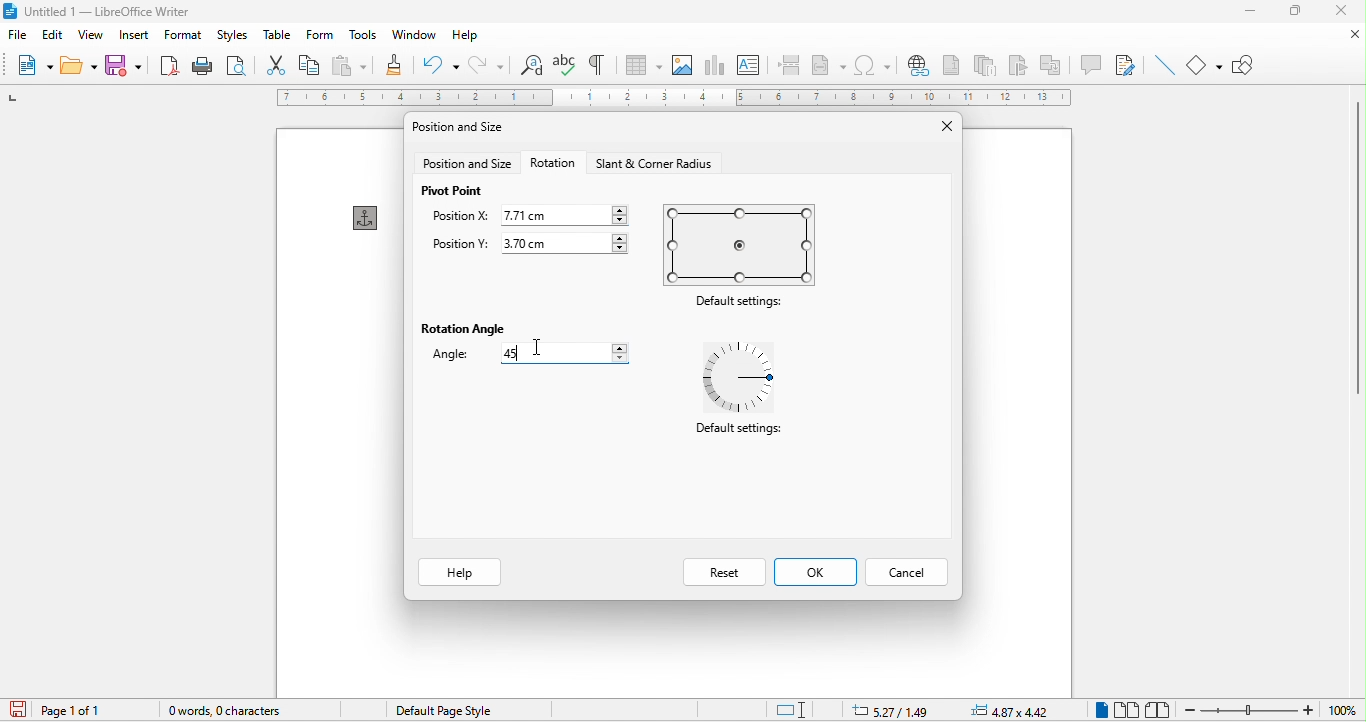 The image size is (1366, 722). What do you see at coordinates (360, 36) in the screenshot?
I see `tools` at bounding box center [360, 36].